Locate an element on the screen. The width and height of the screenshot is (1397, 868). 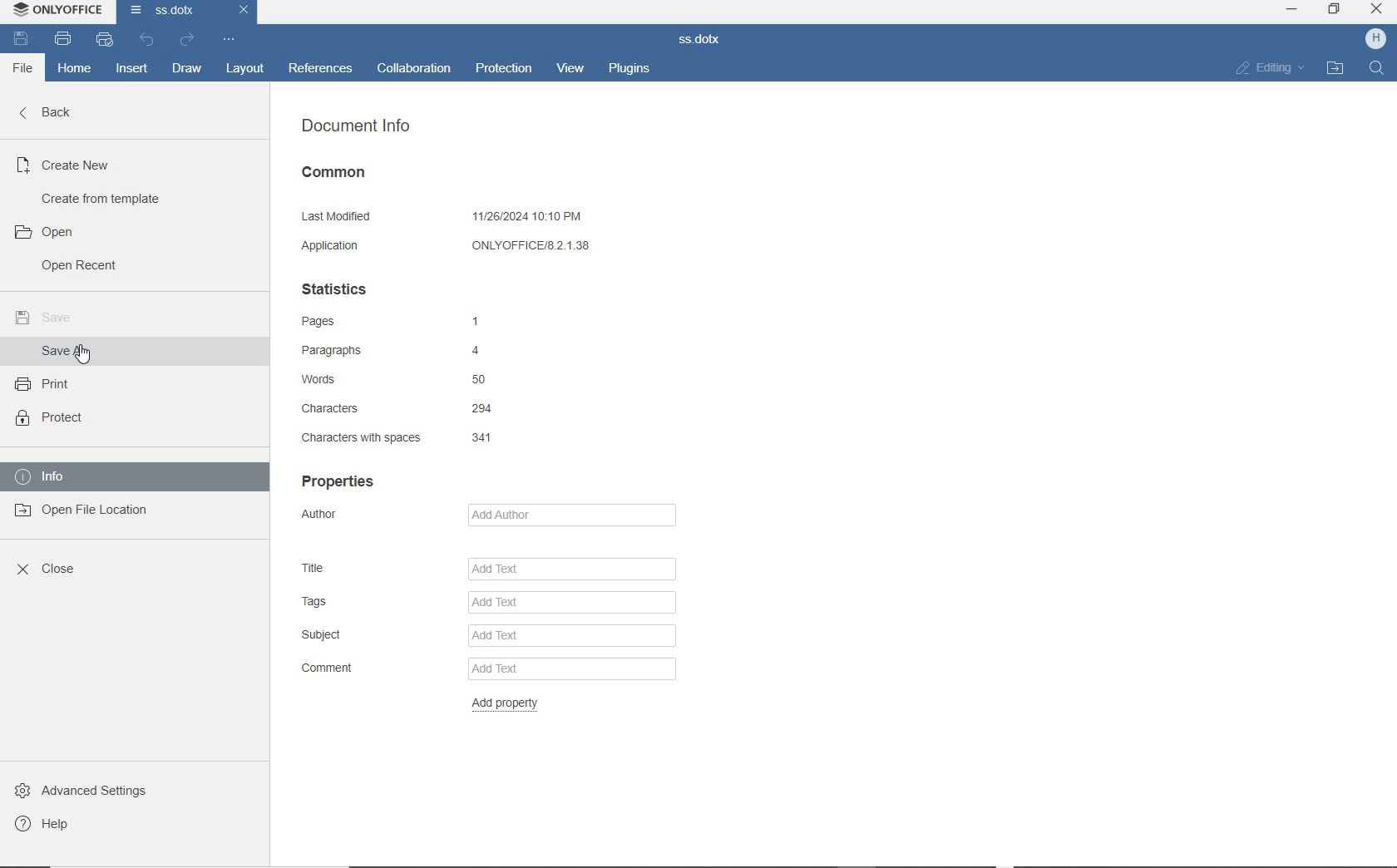
DOCUMENT NAME is located at coordinates (702, 40).